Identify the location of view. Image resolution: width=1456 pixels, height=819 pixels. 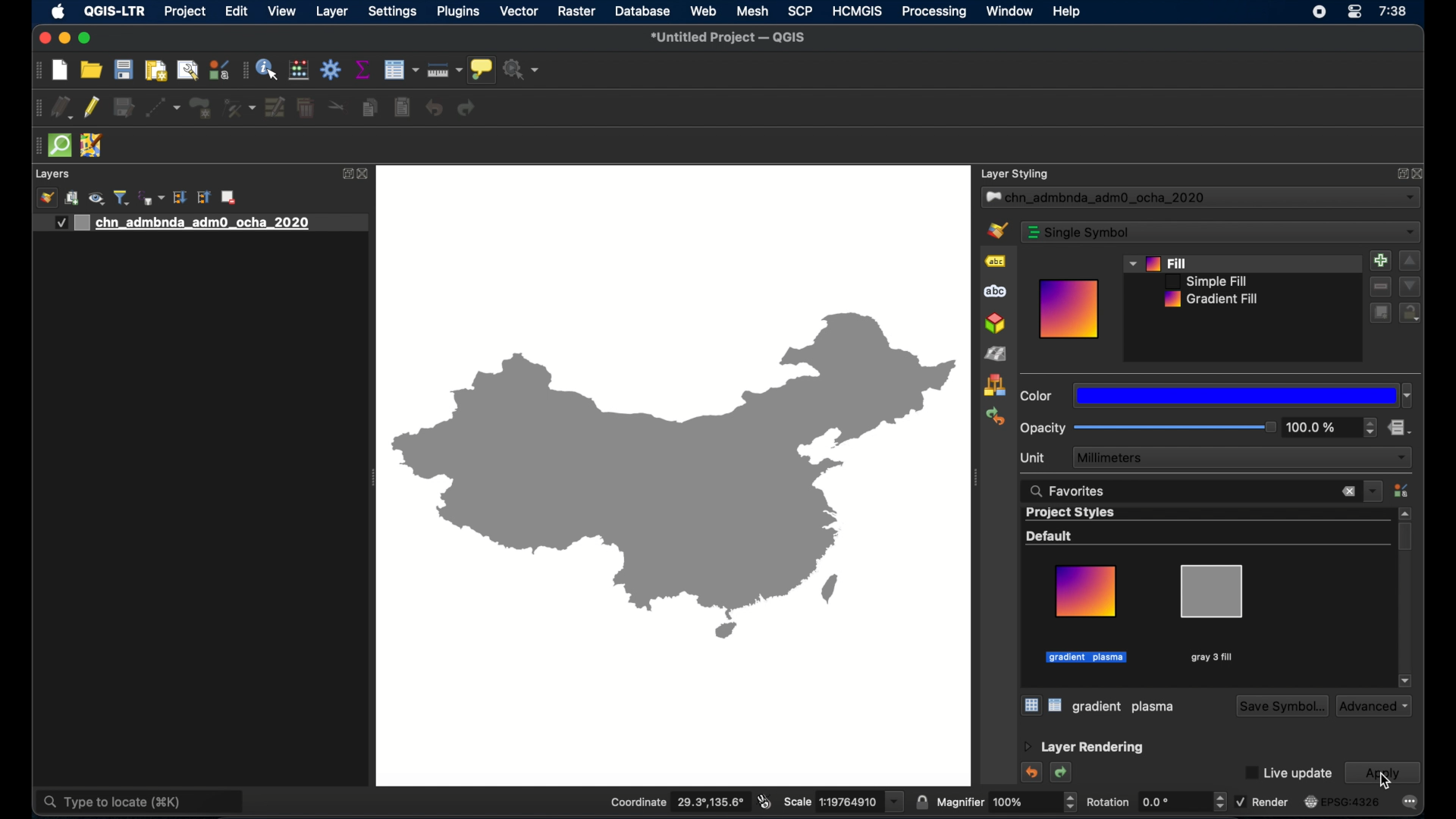
(282, 11).